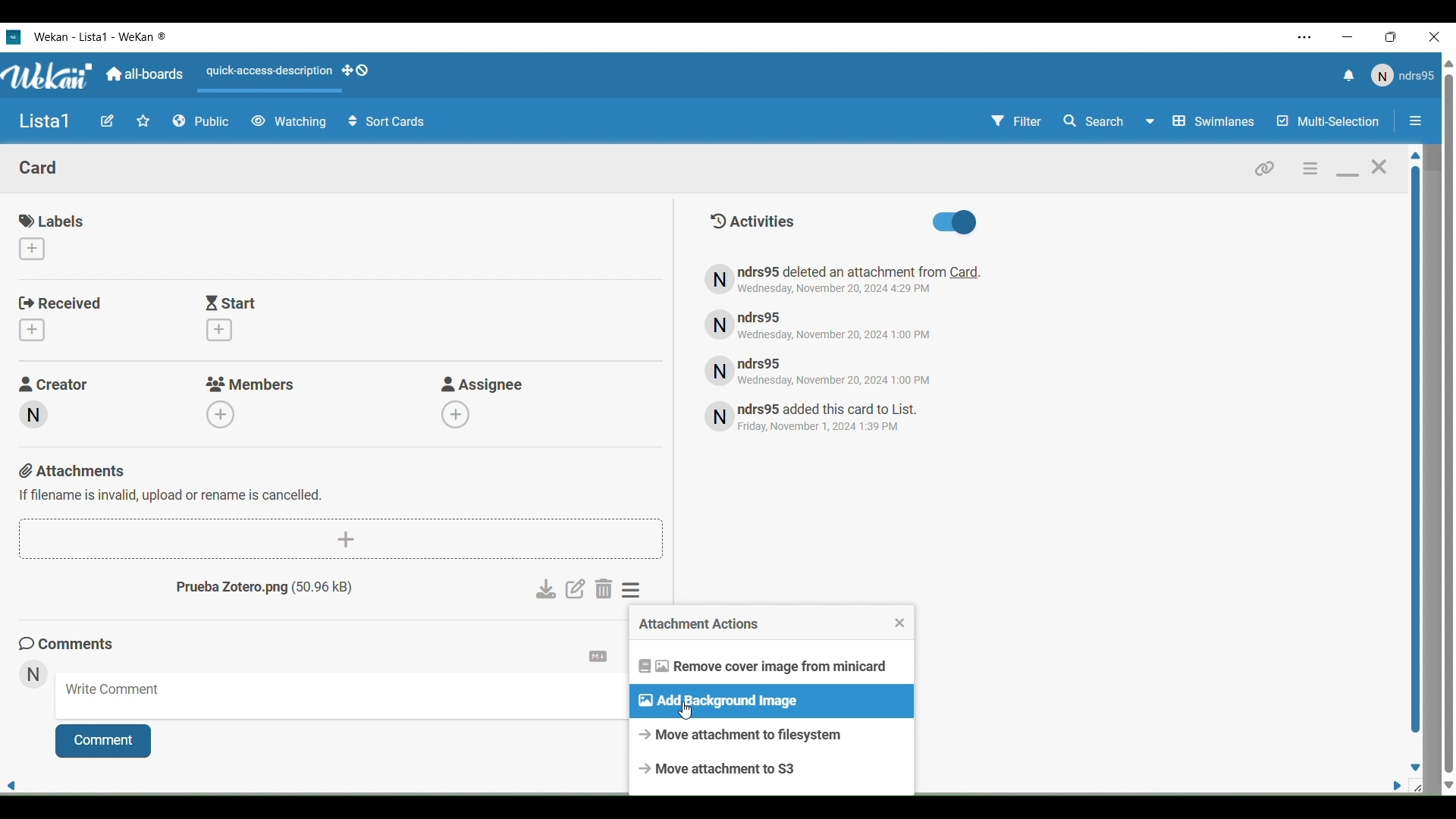 This screenshot has height=819, width=1456. I want to click on Comments, so click(71, 642).